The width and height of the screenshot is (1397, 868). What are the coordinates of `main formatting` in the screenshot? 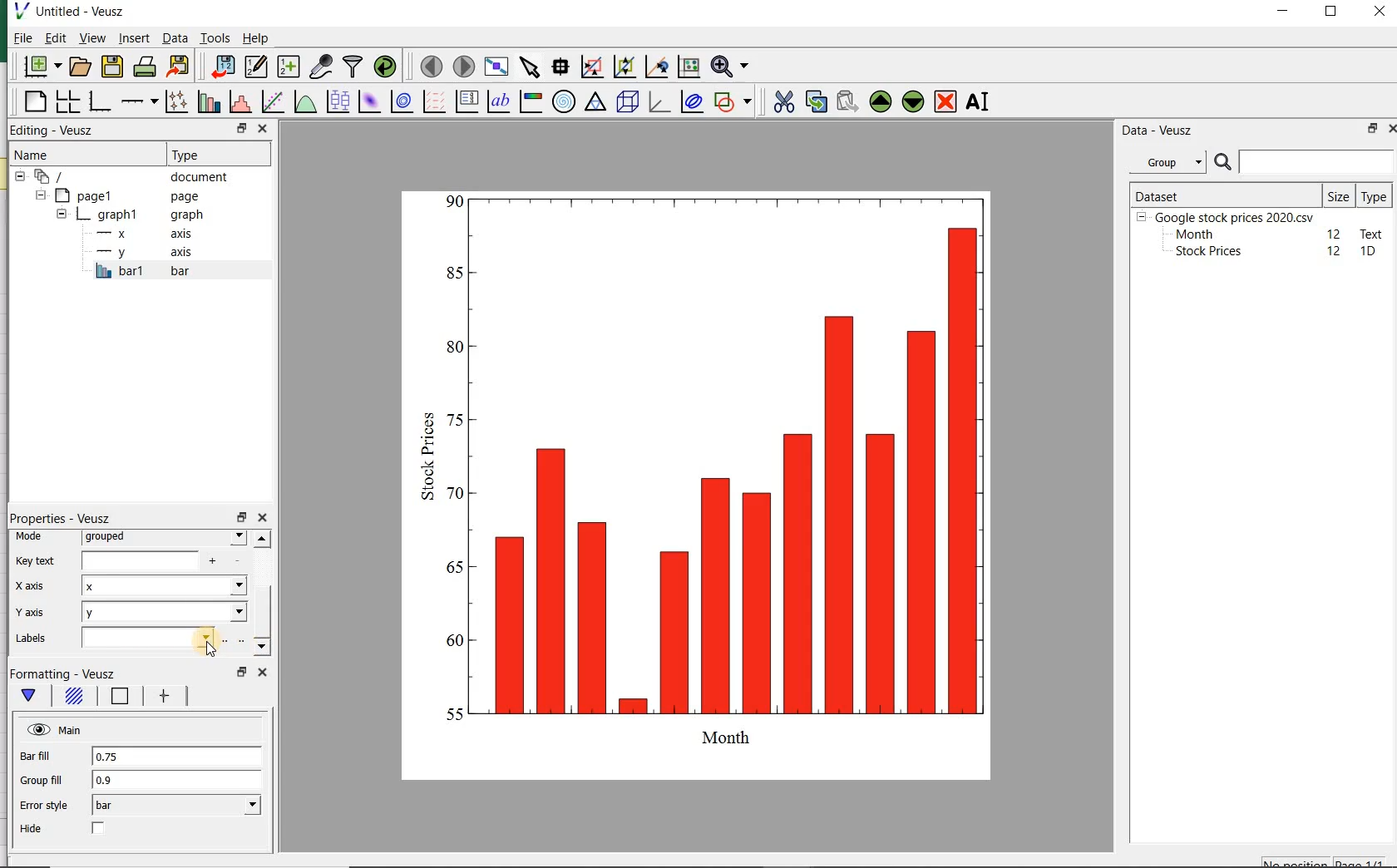 It's located at (30, 695).